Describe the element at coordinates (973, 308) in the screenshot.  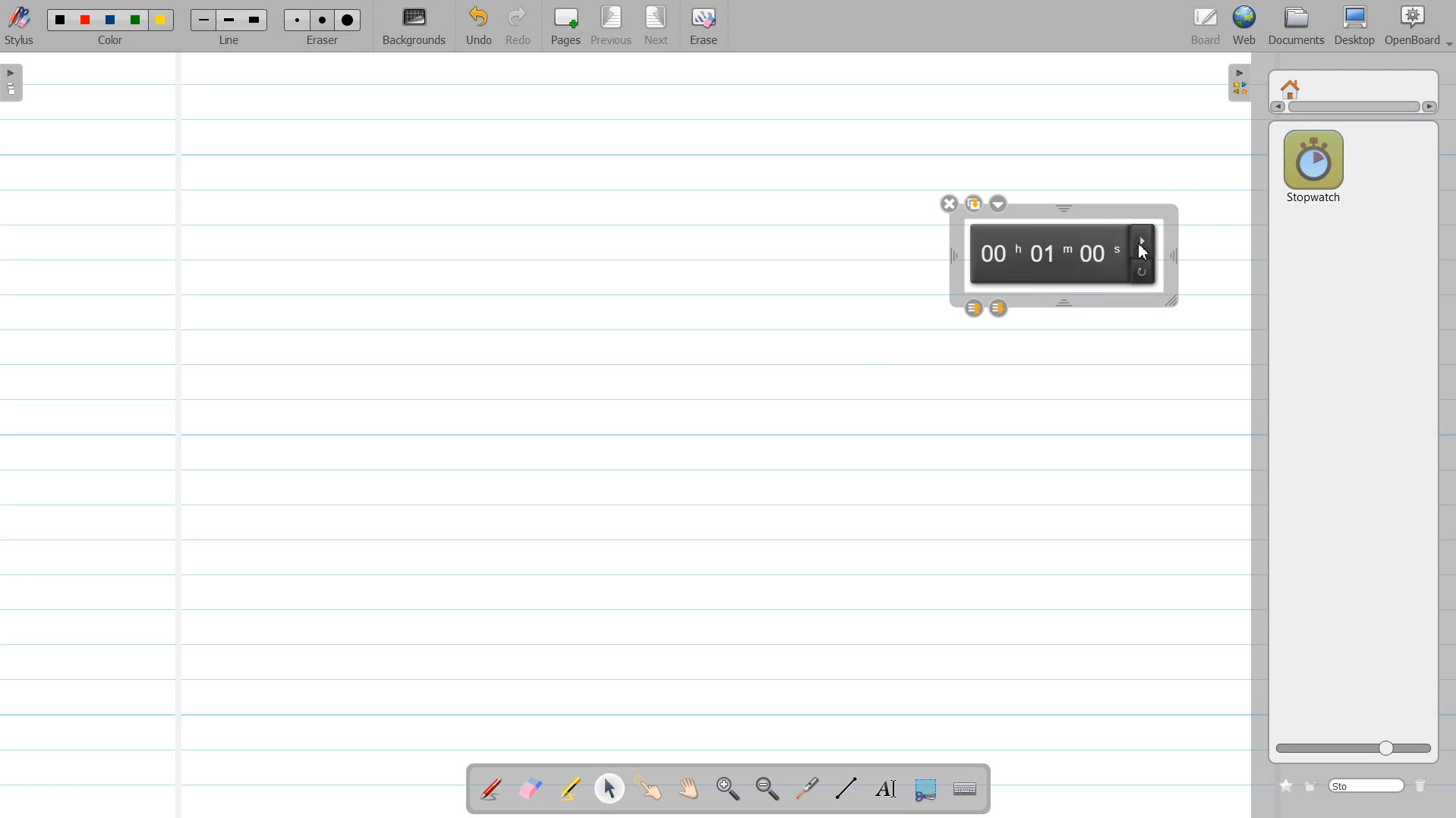
I see `Layer up` at that location.